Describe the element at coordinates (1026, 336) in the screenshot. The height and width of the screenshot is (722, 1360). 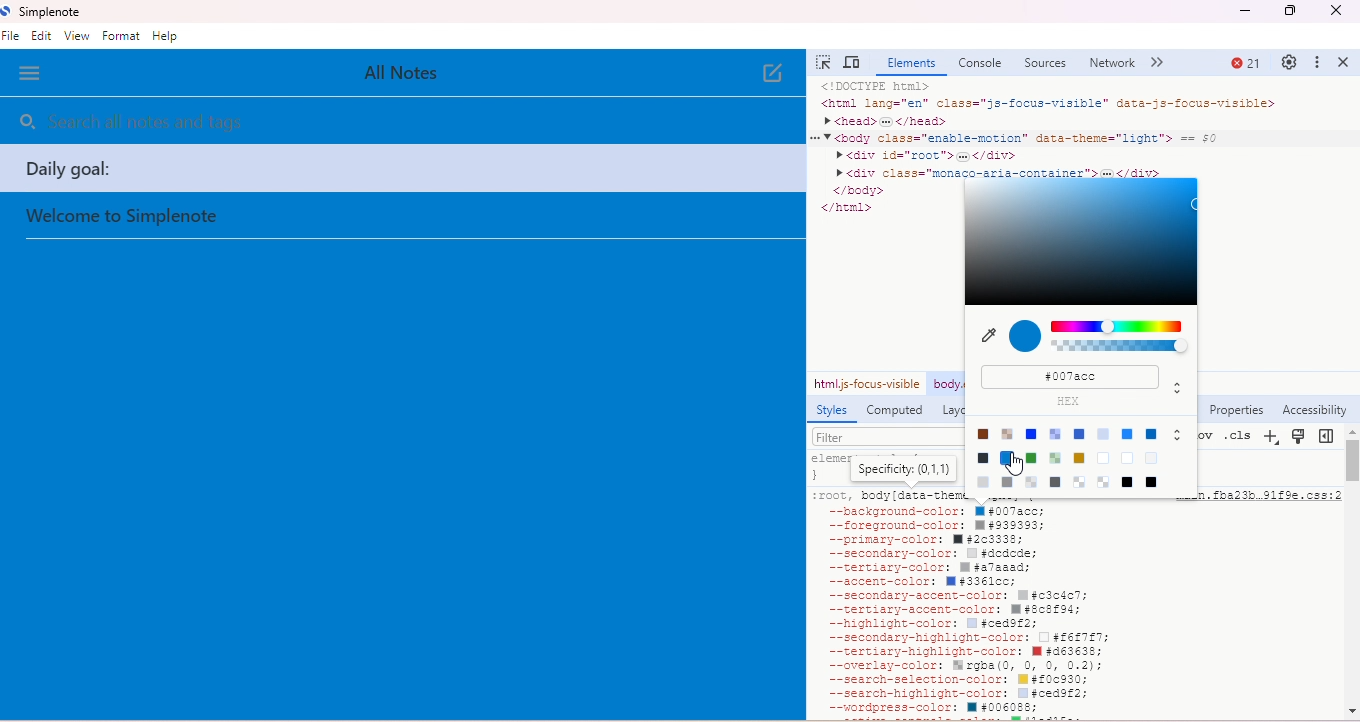
I see `selected color` at that location.